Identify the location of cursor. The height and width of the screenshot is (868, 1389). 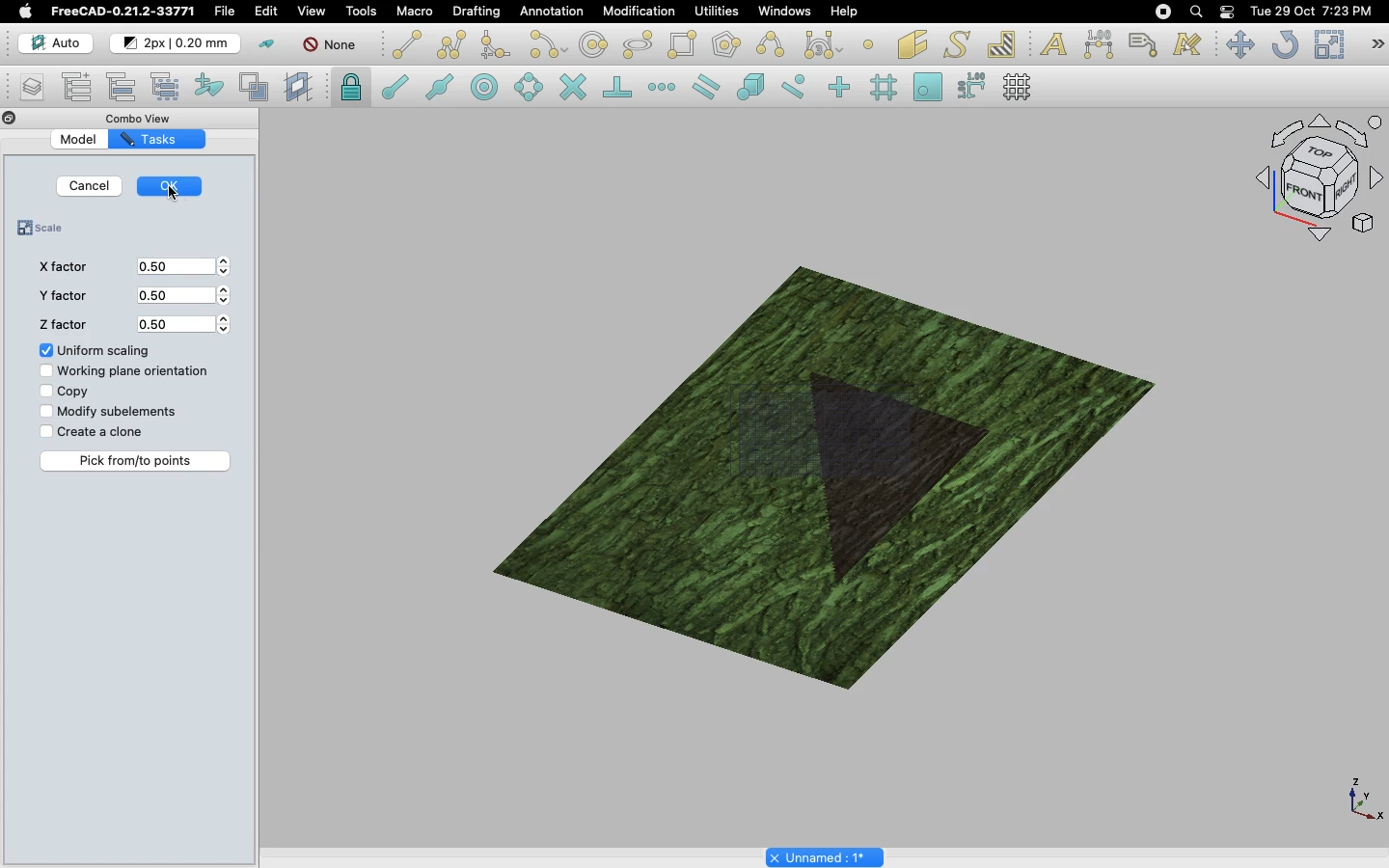
(175, 197).